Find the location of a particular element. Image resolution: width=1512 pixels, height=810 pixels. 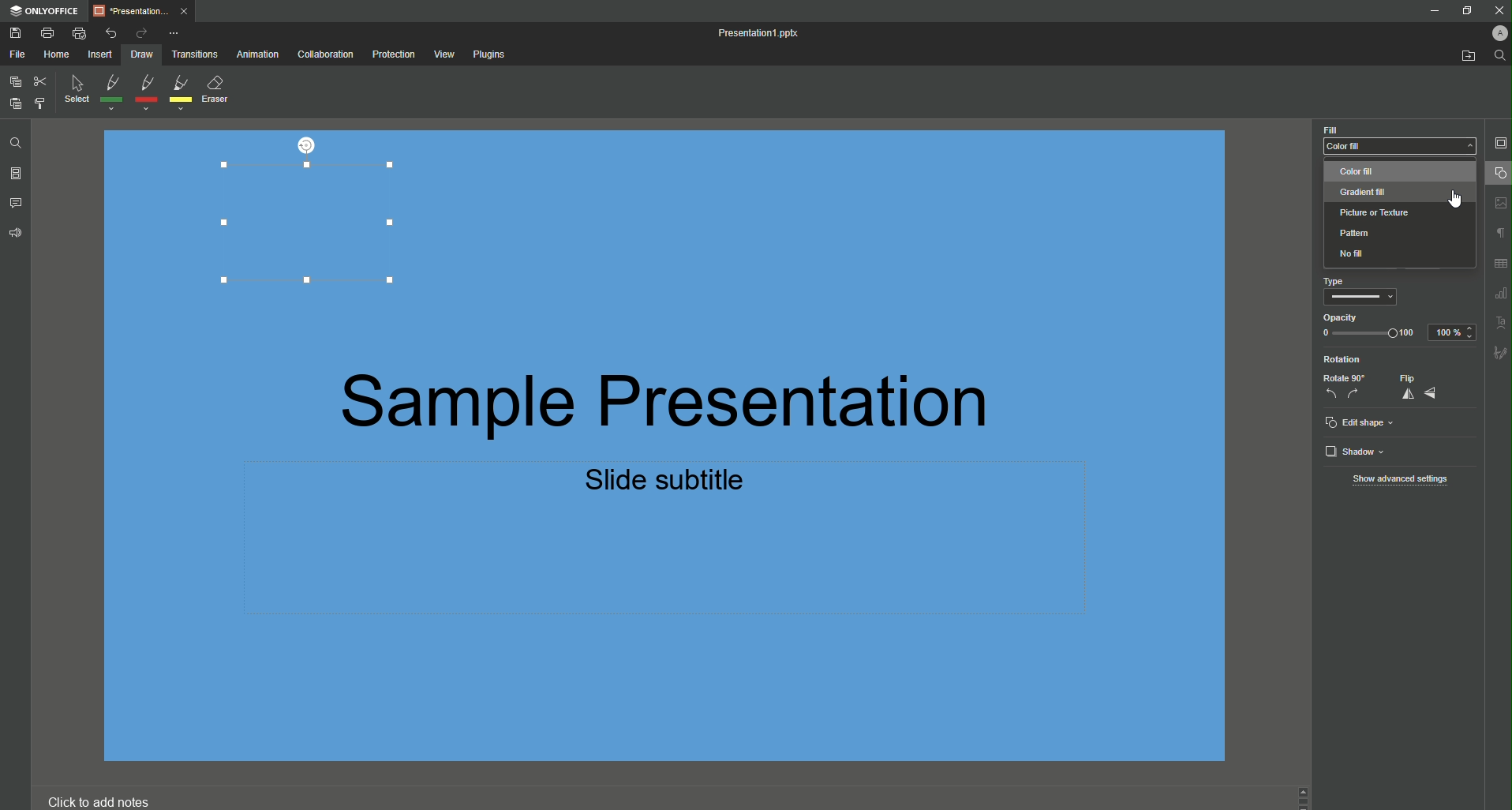

Undo is located at coordinates (111, 31).